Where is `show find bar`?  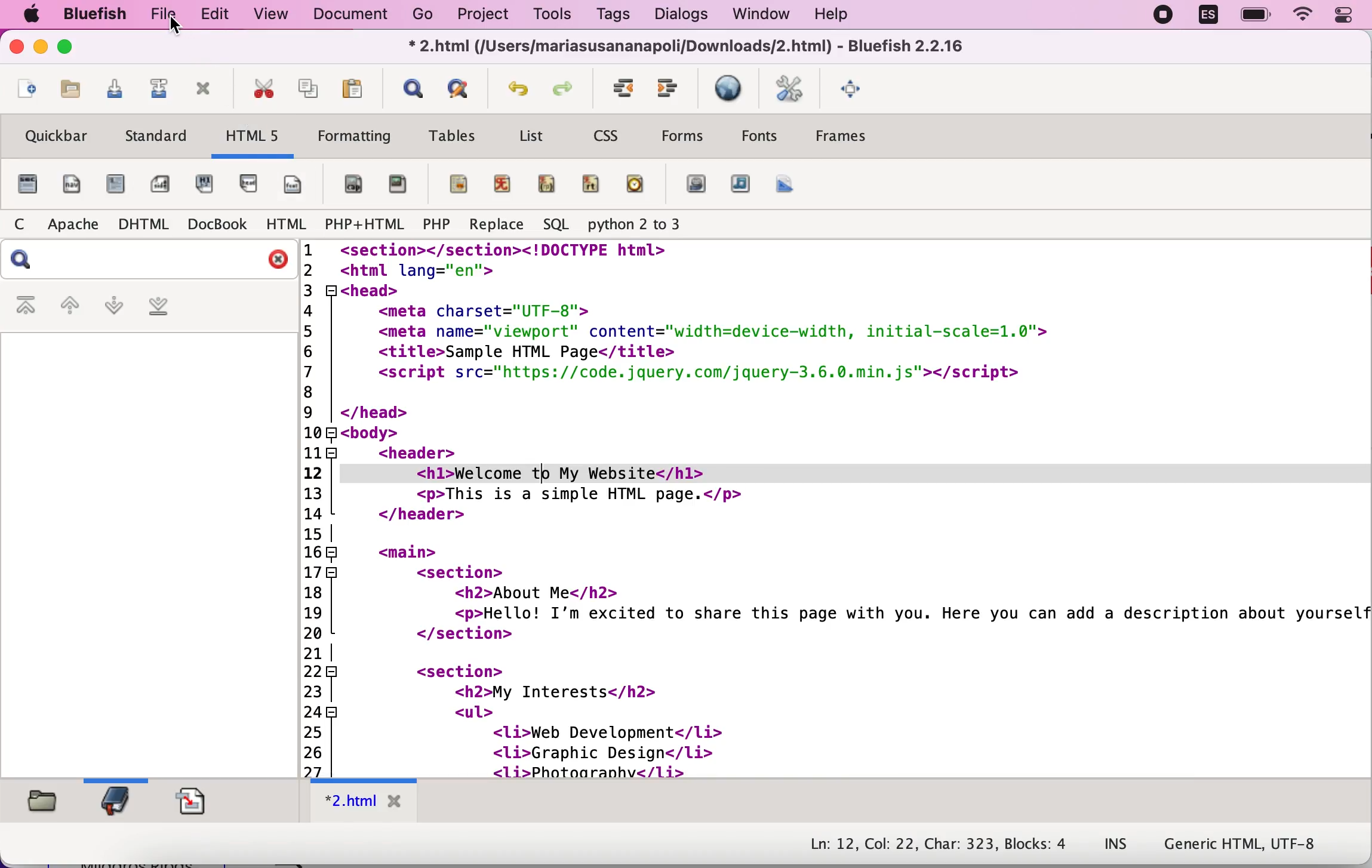
show find bar is located at coordinates (409, 87).